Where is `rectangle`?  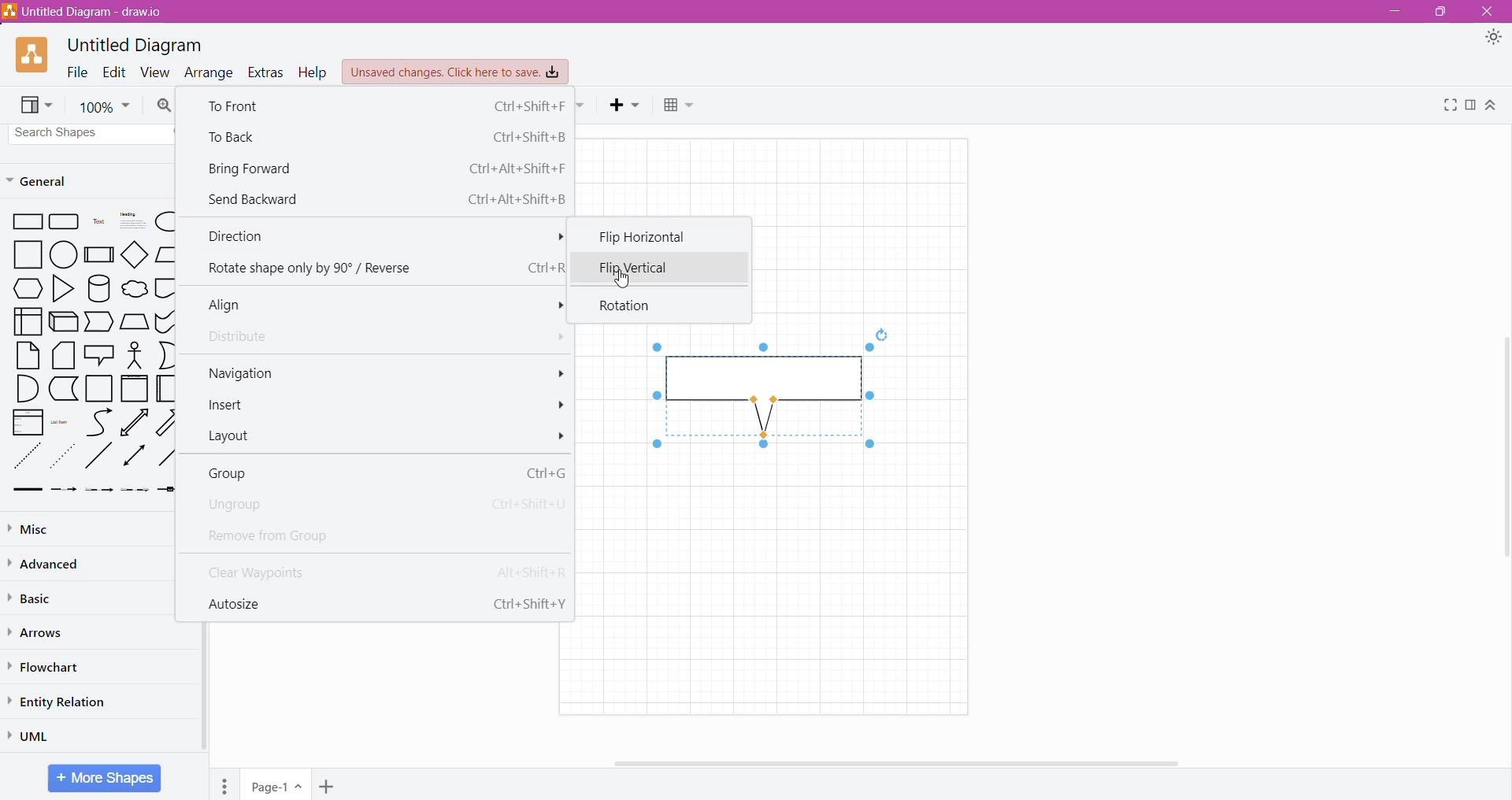
rectangle is located at coordinates (24, 223).